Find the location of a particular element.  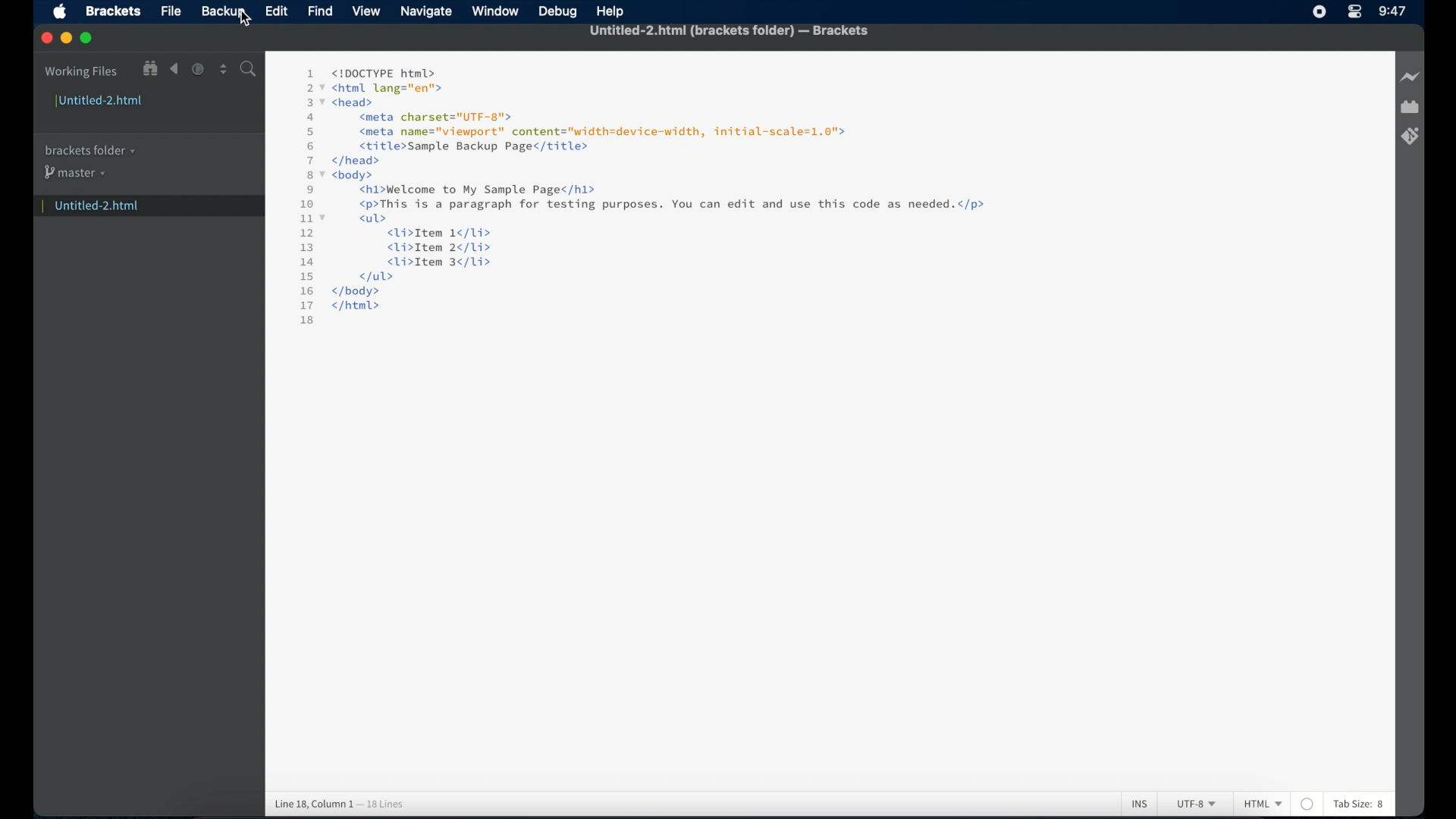

apple icon is located at coordinates (60, 12).